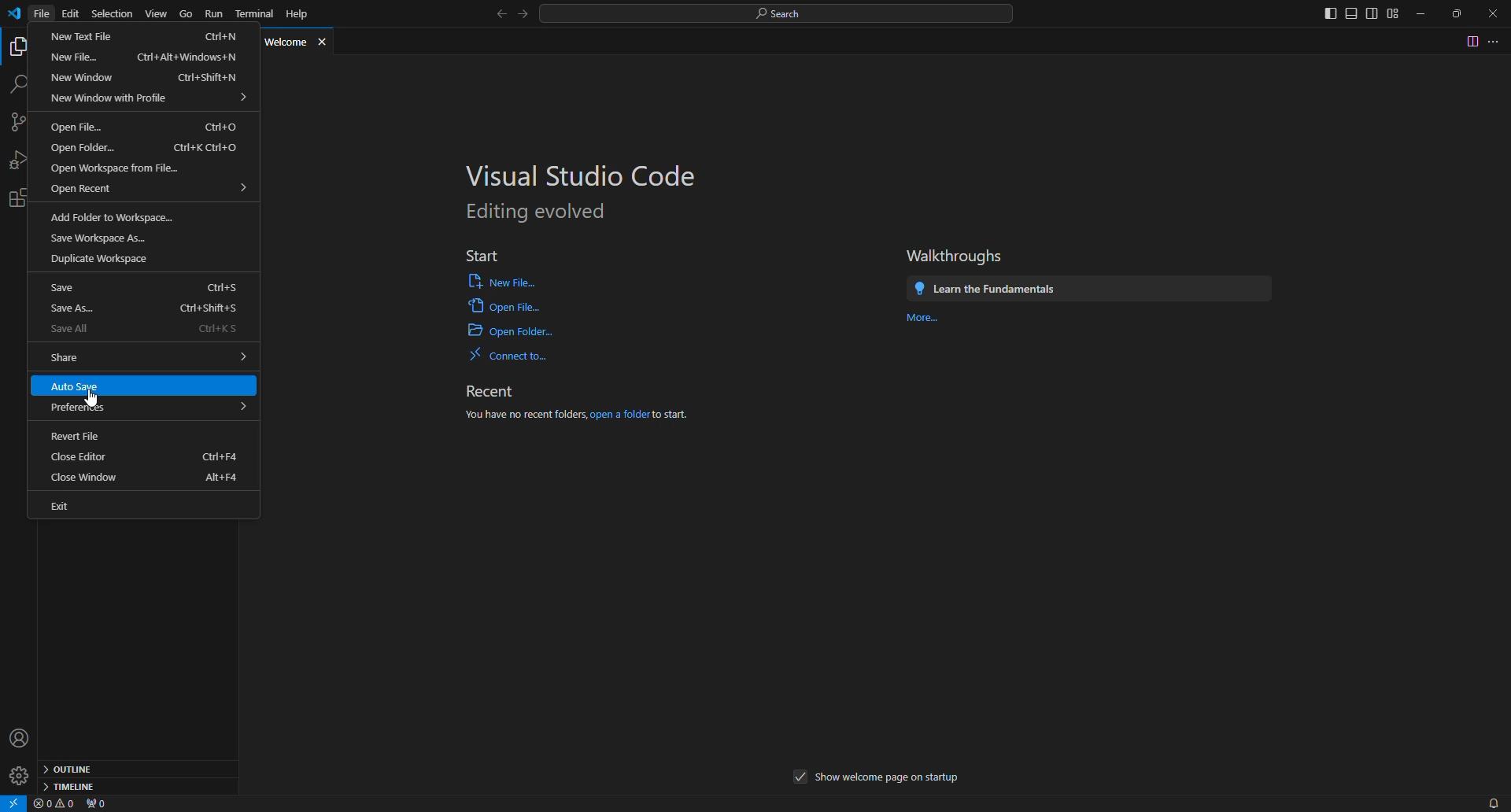 This screenshot has height=812, width=1511. Describe the element at coordinates (79, 58) in the screenshot. I see `new file` at that location.